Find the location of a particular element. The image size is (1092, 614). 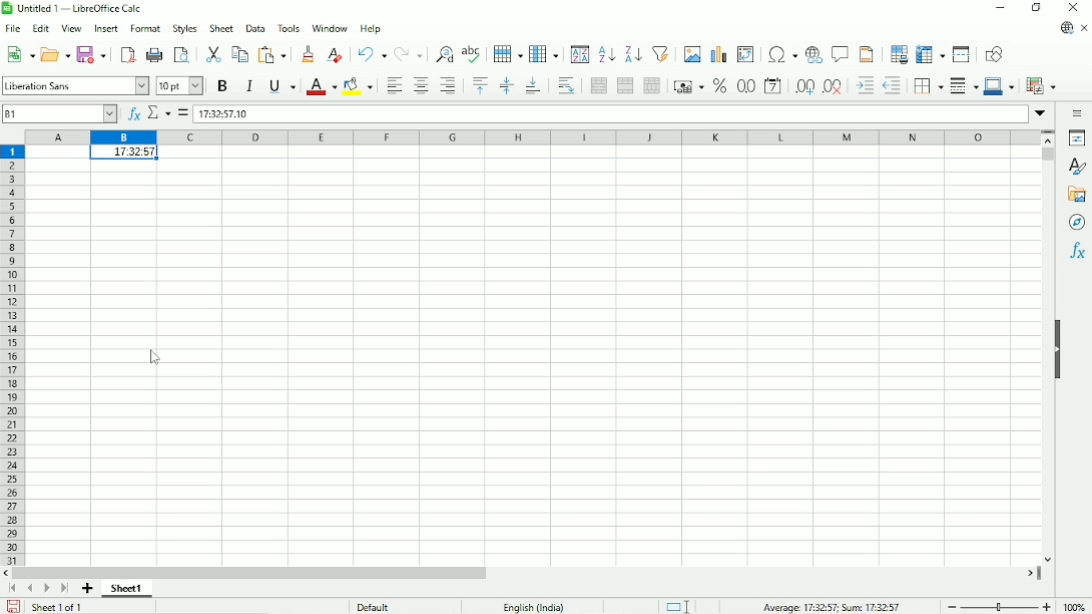

Column is located at coordinates (544, 52).